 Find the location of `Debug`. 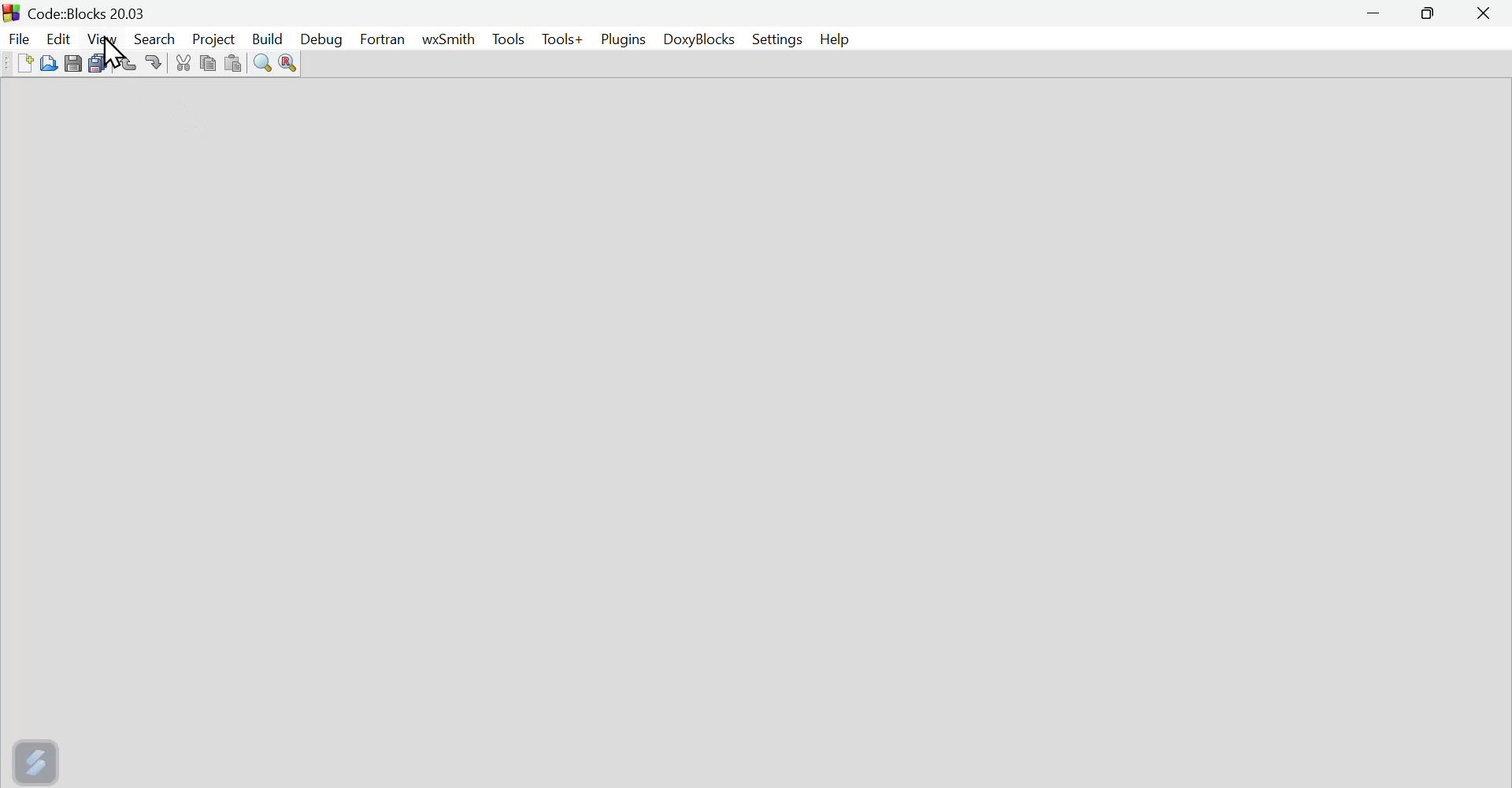

Debug is located at coordinates (326, 39).